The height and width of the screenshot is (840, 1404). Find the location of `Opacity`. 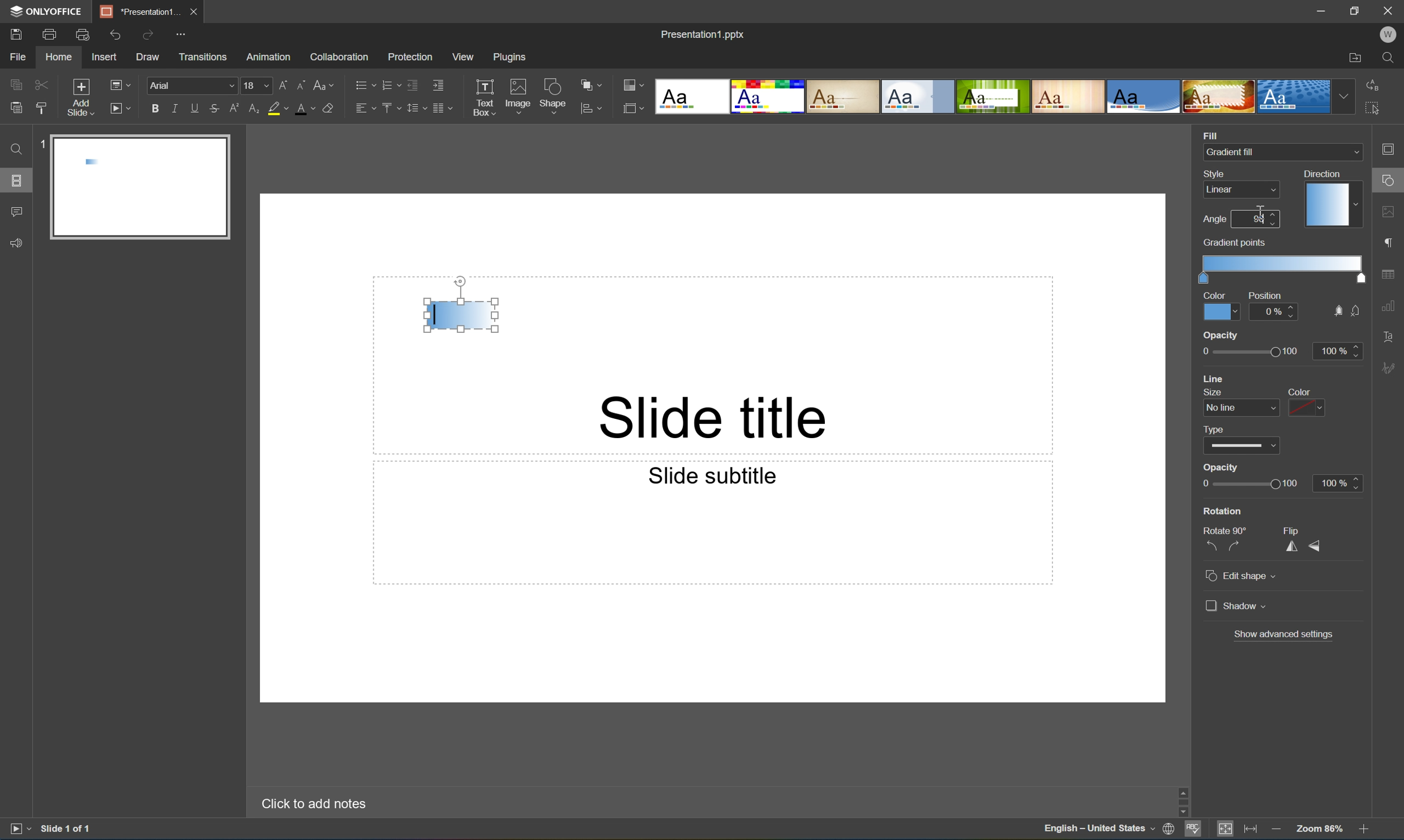

Opacity is located at coordinates (1222, 468).